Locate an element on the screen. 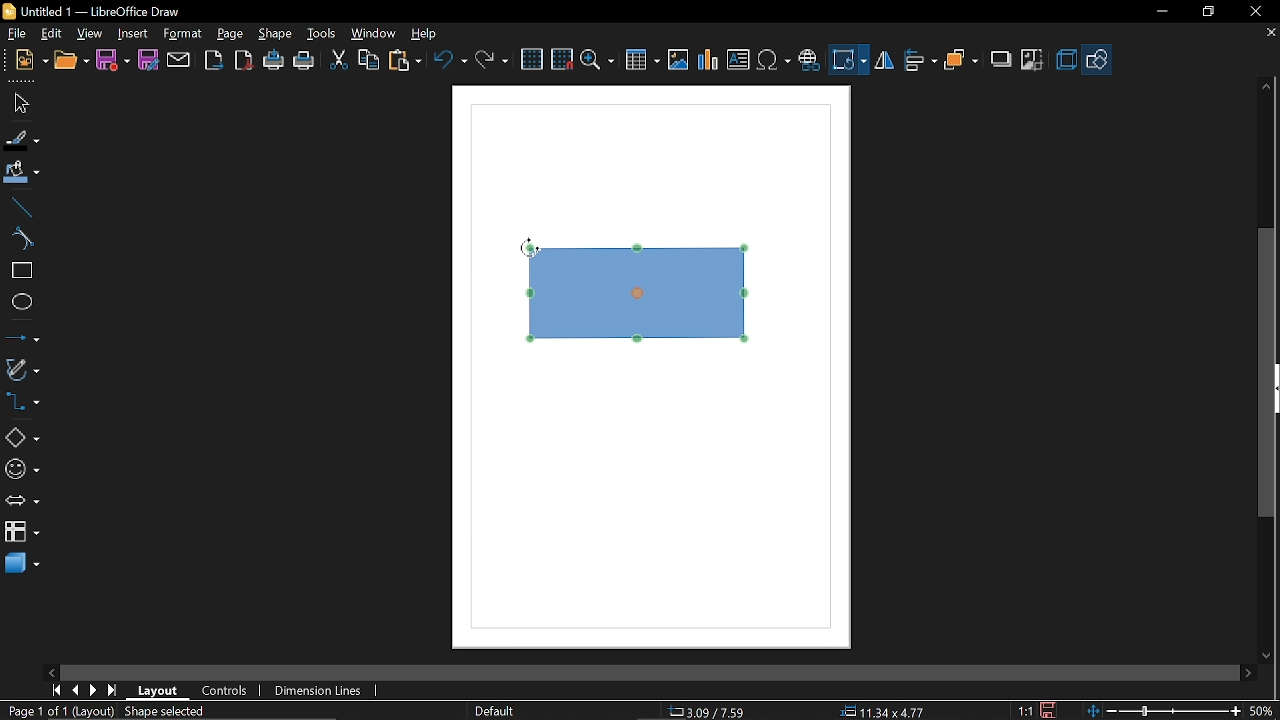  Cursor is located at coordinates (526, 248).